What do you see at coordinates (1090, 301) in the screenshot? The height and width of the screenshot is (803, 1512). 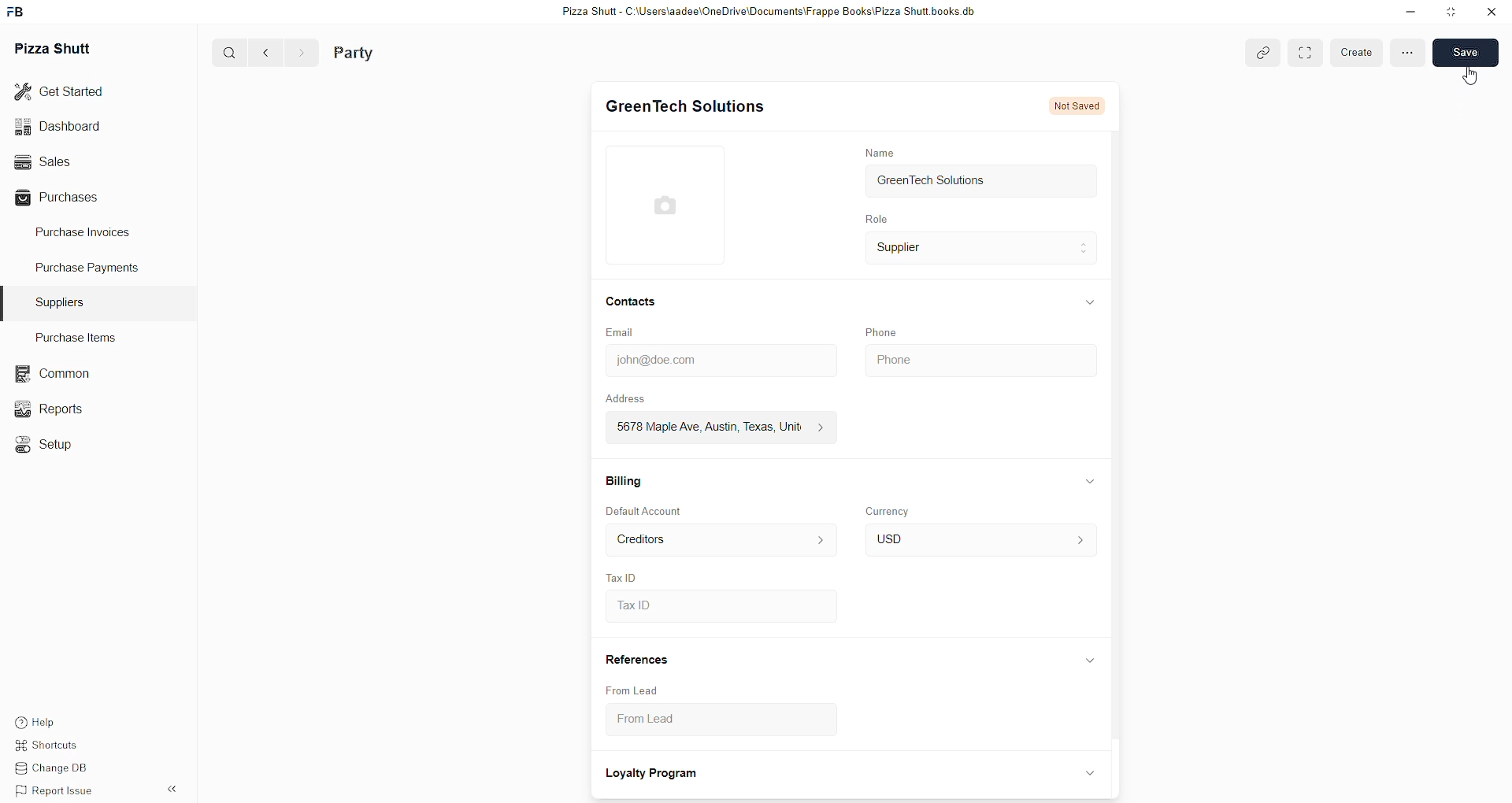 I see `hide` at bounding box center [1090, 301].